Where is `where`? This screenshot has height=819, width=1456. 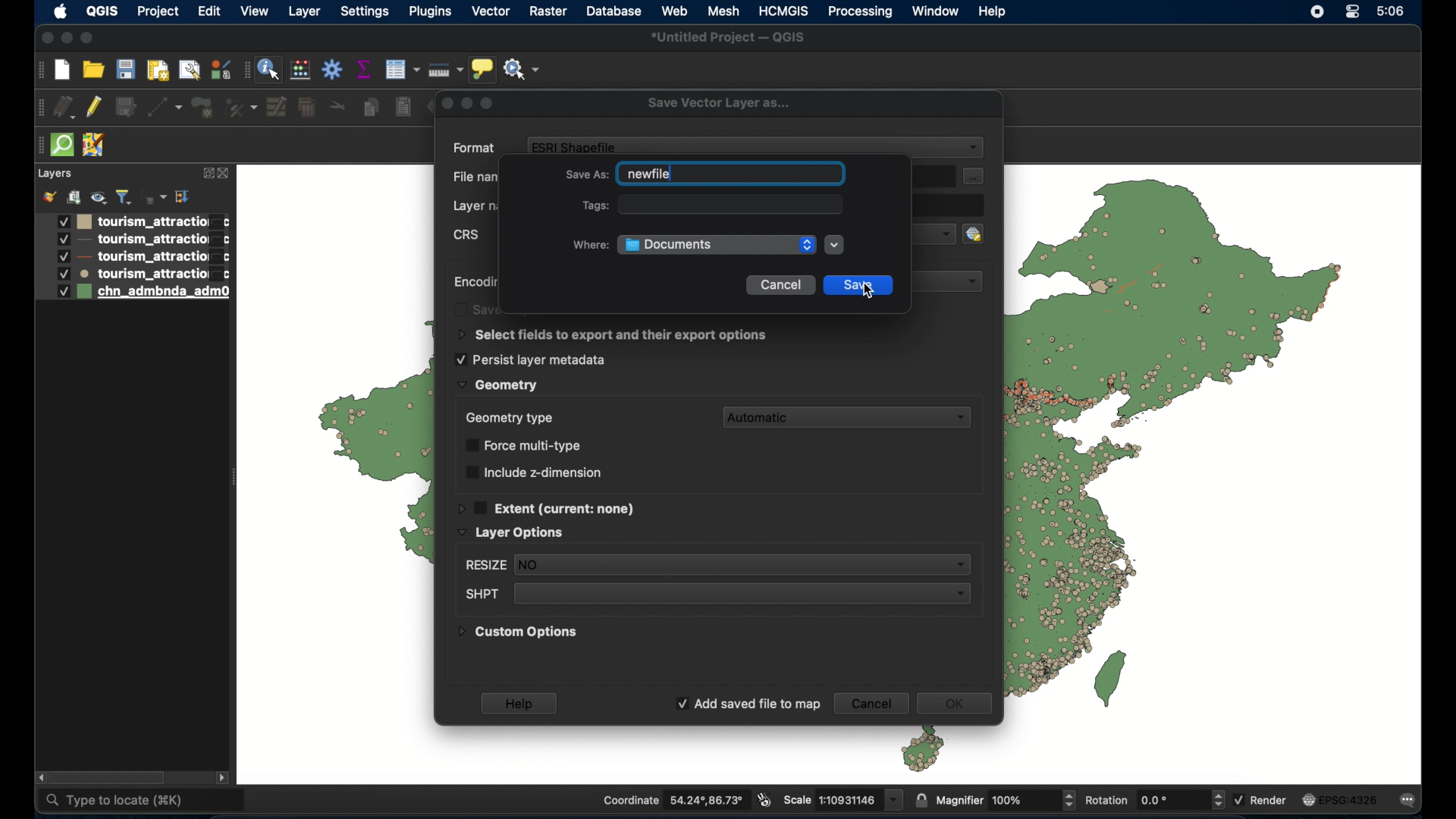
where is located at coordinates (588, 246).